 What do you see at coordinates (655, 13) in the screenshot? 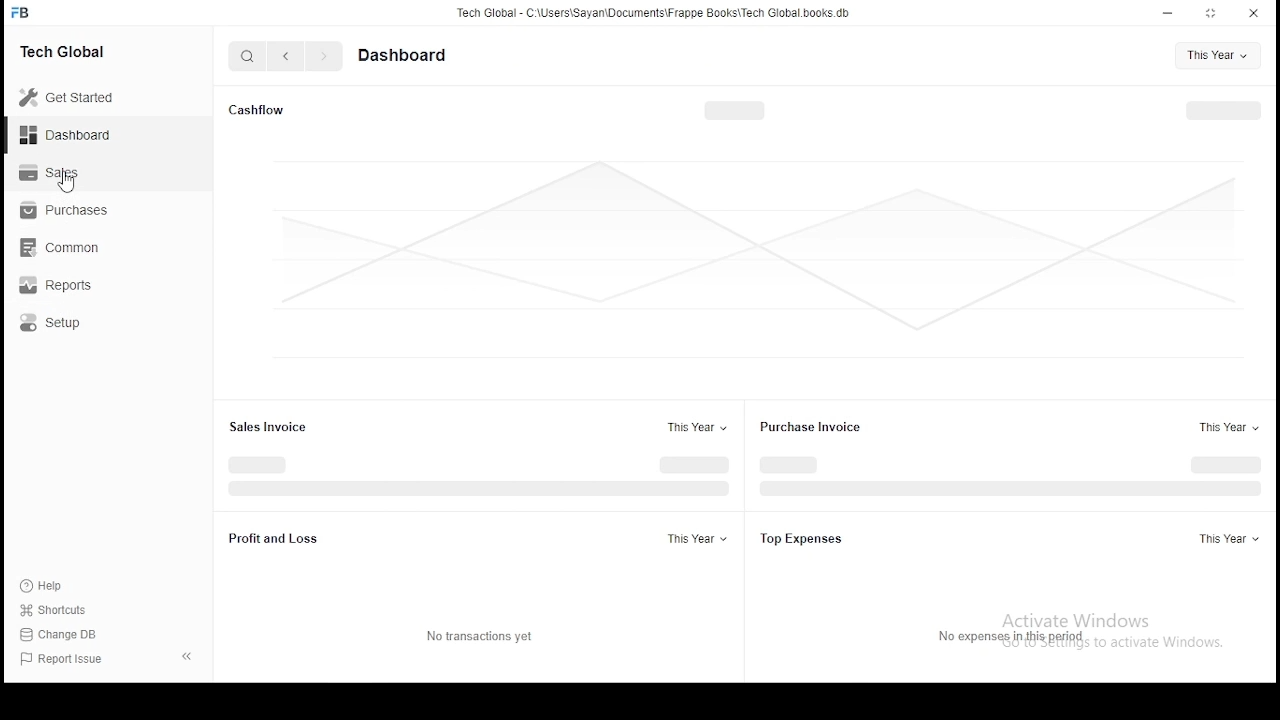
I see `tech global - C:\users\sayan\documents\frappeboks\techgobalbooks.db` at bounding box center [655, 13].